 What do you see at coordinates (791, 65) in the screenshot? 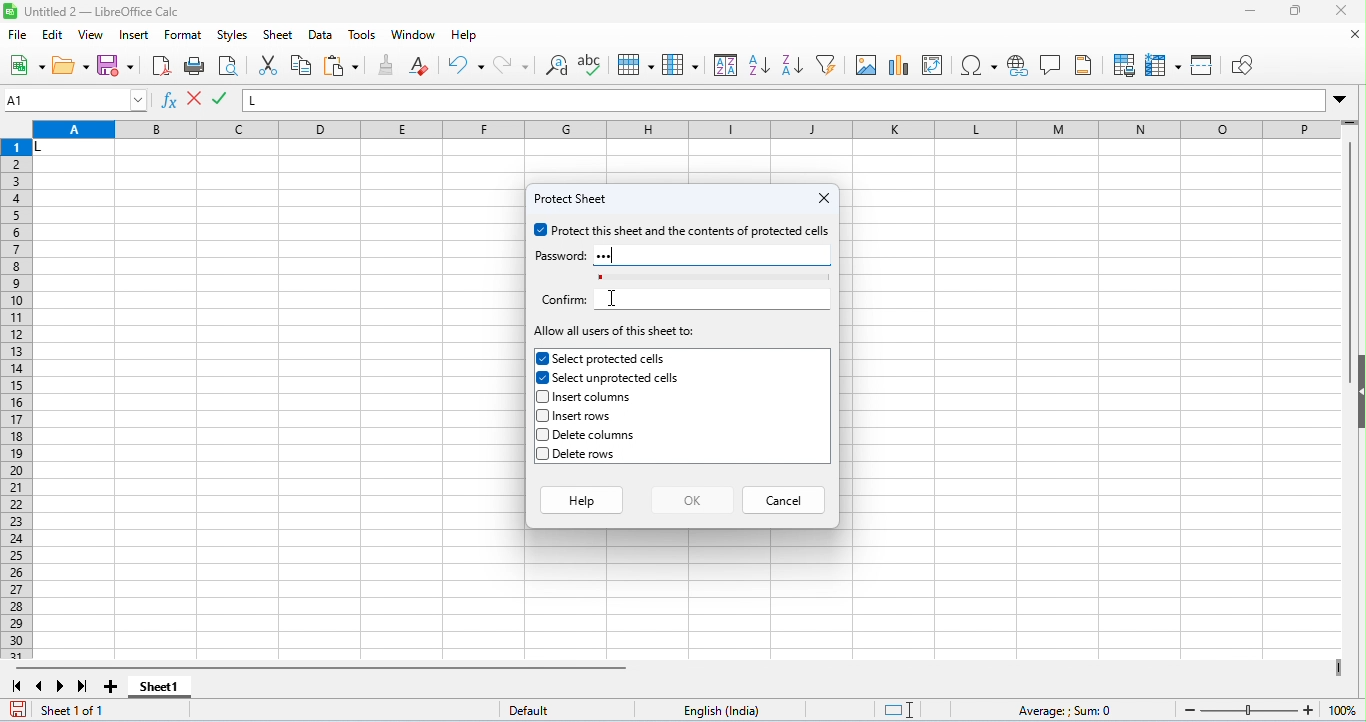
I see `sort descending` at bounding box center [791, 65].